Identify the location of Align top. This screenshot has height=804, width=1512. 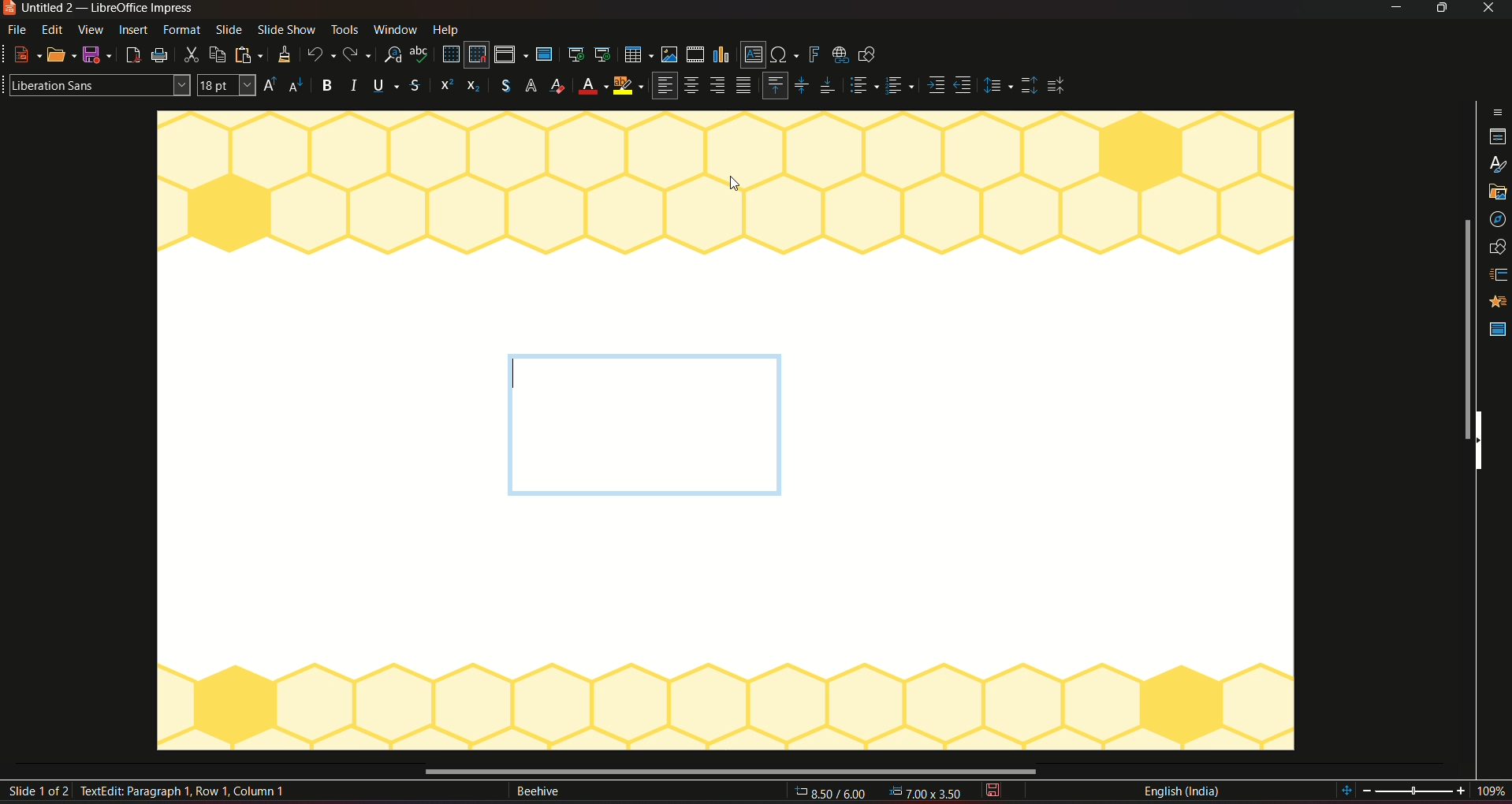
(774, 84).